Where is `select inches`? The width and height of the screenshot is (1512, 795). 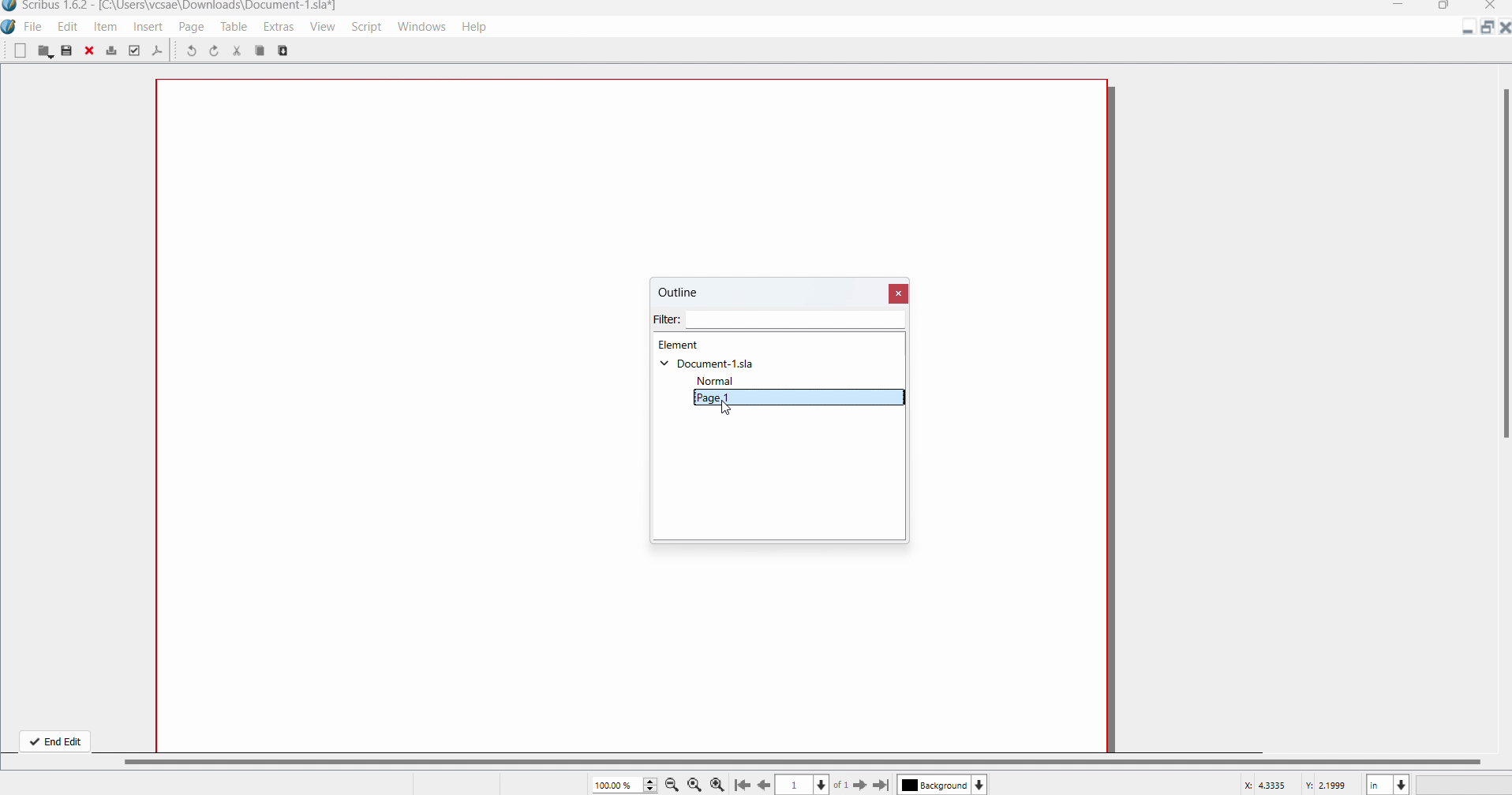 select inches is located at coordinates (1387, 784).